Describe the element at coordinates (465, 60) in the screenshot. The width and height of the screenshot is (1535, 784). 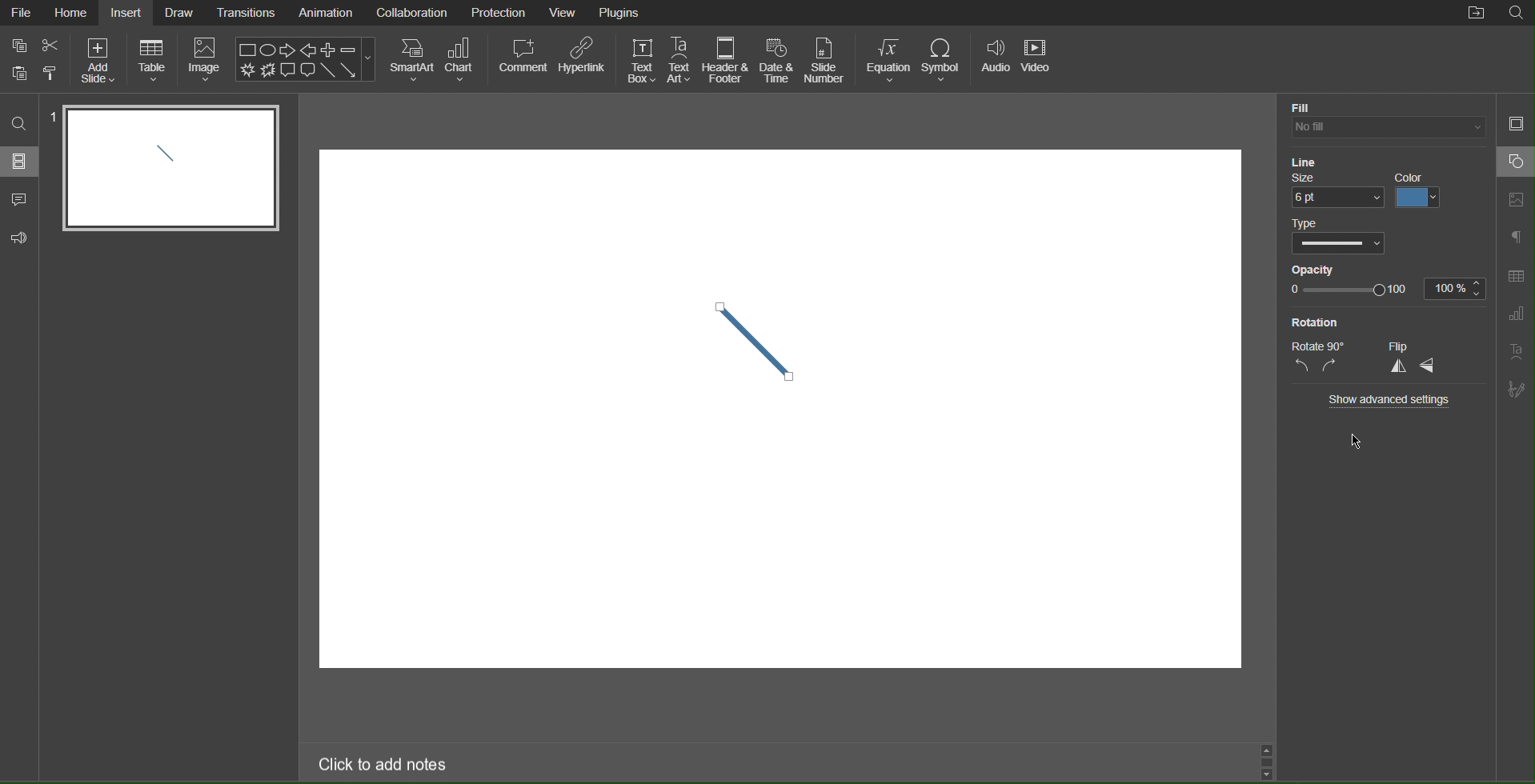
I see `Chart` at that location.